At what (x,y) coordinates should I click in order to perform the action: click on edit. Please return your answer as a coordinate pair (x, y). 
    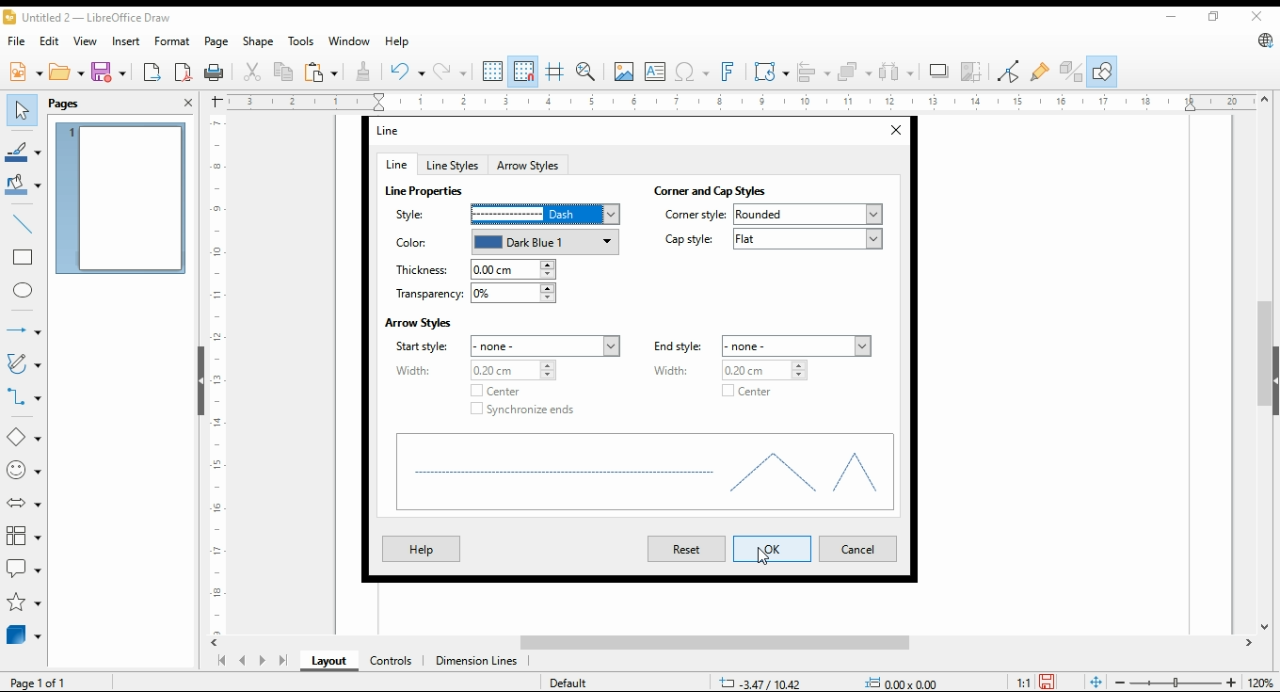
    Looking at the image, I should click on (48, 39).